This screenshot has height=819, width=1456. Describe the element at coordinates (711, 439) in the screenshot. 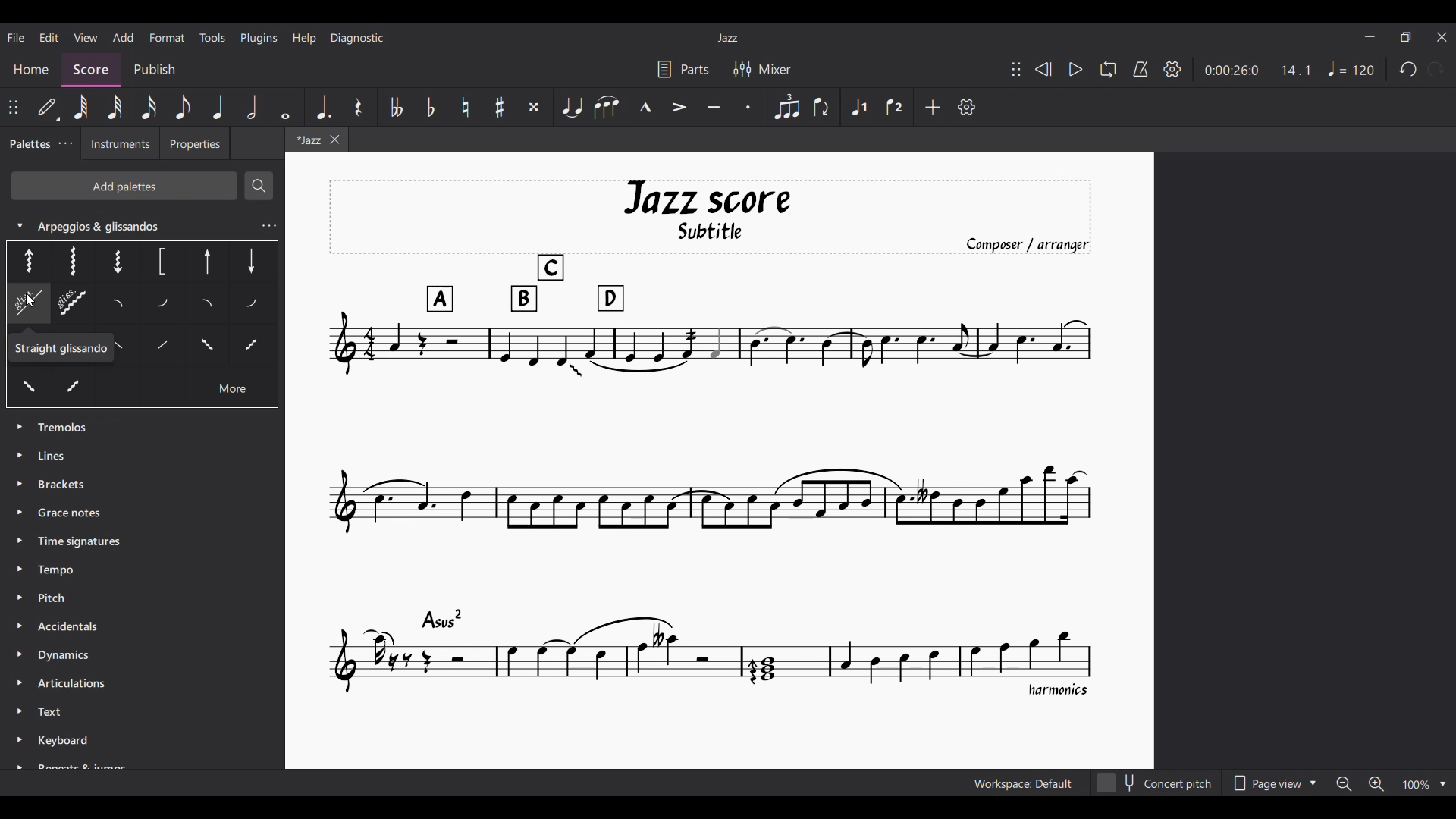

I see `Current score` at that location.